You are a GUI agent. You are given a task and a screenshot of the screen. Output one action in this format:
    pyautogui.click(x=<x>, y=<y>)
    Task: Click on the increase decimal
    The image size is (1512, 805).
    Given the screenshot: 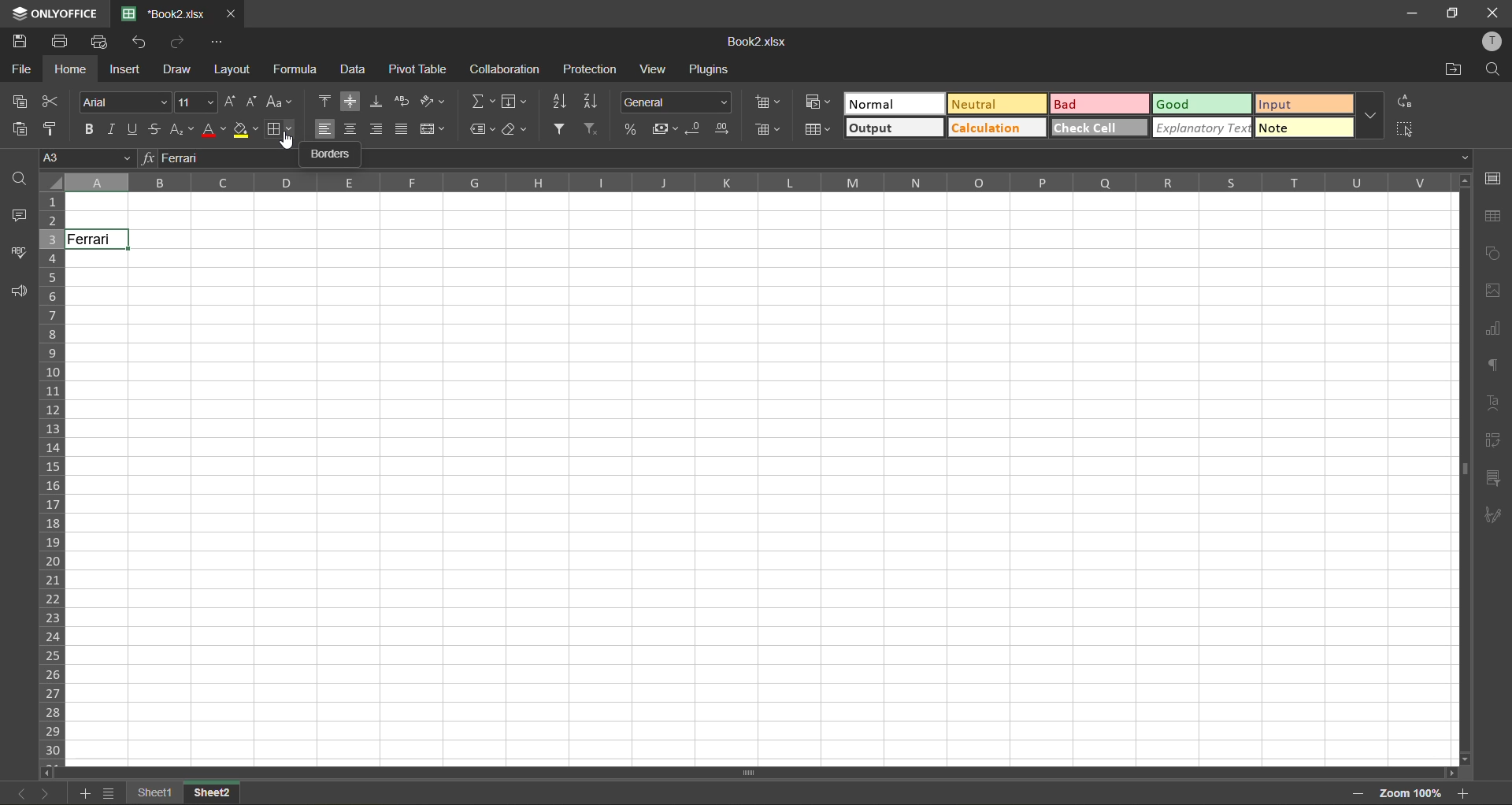 What is the action you would take?
    pyautogui.click(x=723, y=129)
    